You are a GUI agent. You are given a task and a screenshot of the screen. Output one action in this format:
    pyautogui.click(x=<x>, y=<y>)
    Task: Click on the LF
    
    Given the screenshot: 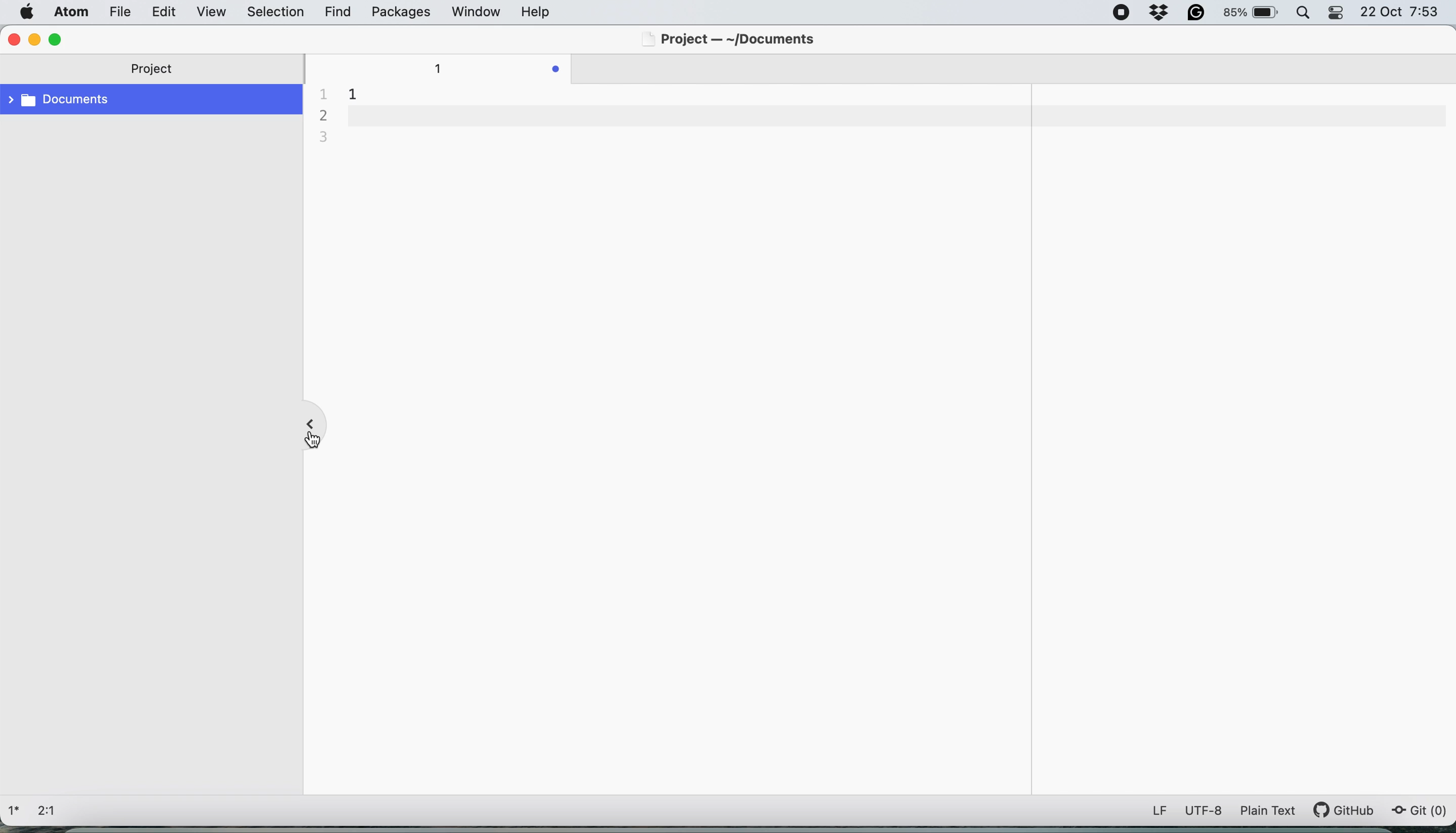 What is the action you would take?
    pyautogui.click(x=1153, y=810)
    